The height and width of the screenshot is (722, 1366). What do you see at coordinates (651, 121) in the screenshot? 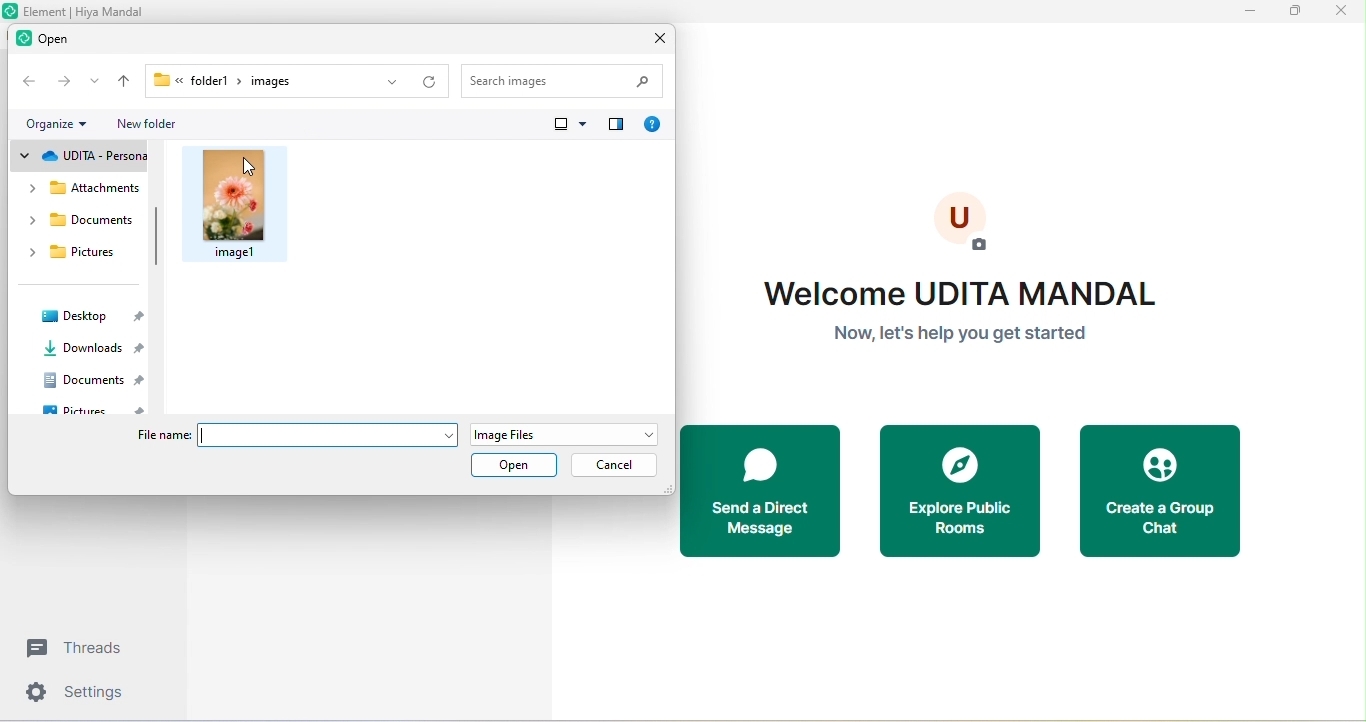
I see `help` at bounding box center [651, 121].